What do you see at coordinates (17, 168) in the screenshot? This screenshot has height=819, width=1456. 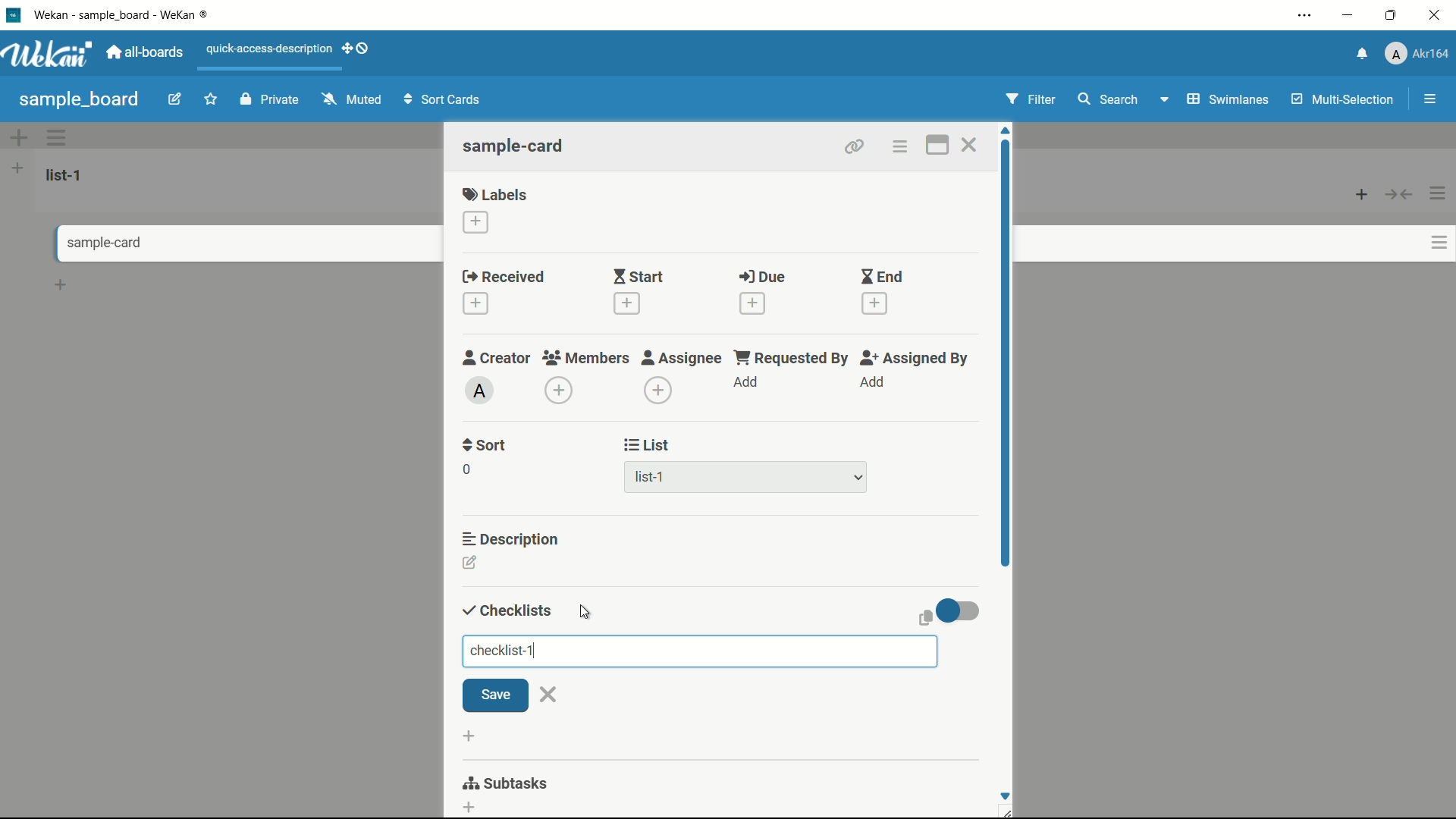 I see `add list` at bounding box center [17, 168].